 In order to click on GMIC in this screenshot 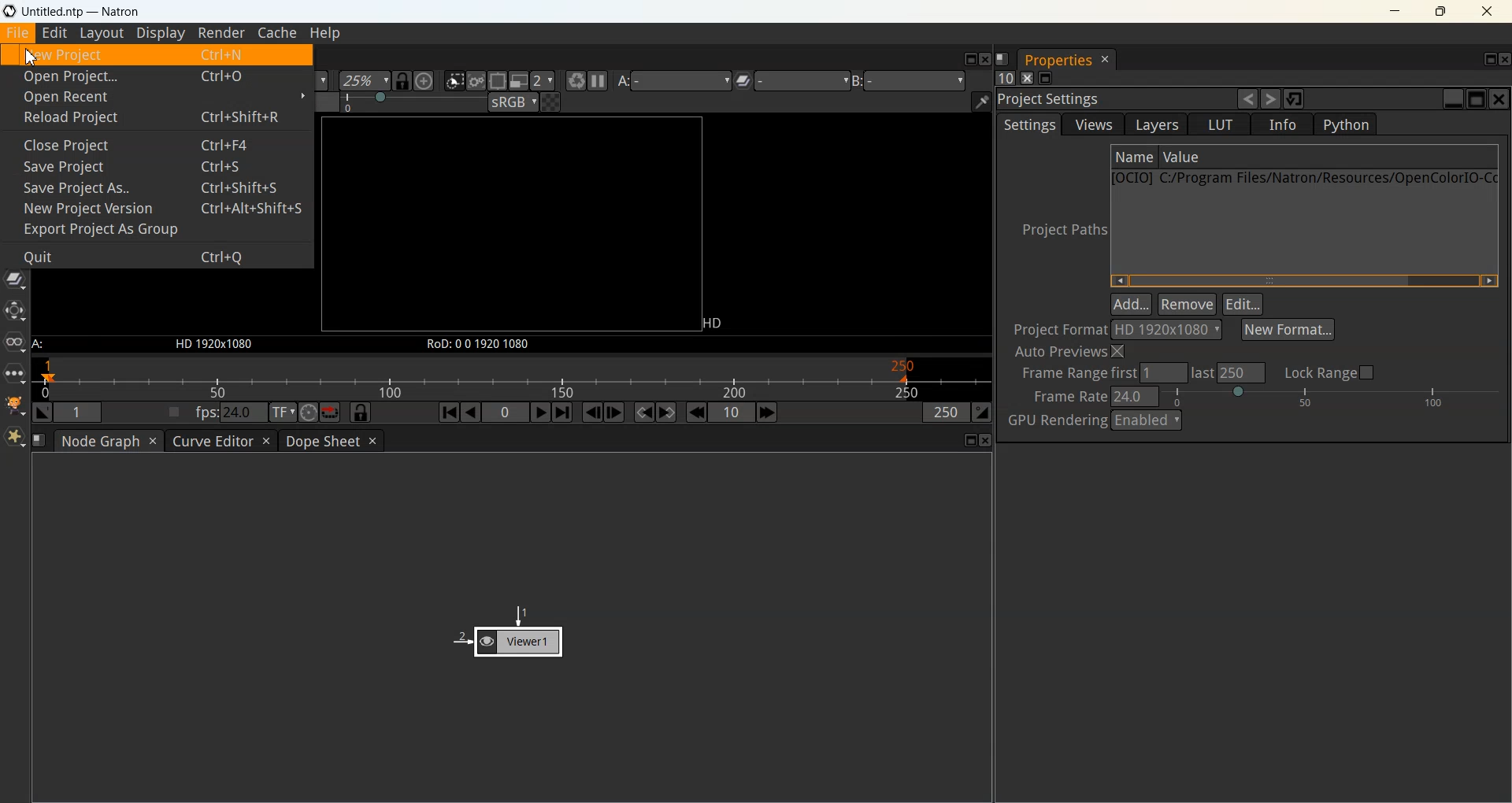, I will do `click(15, 405)`.